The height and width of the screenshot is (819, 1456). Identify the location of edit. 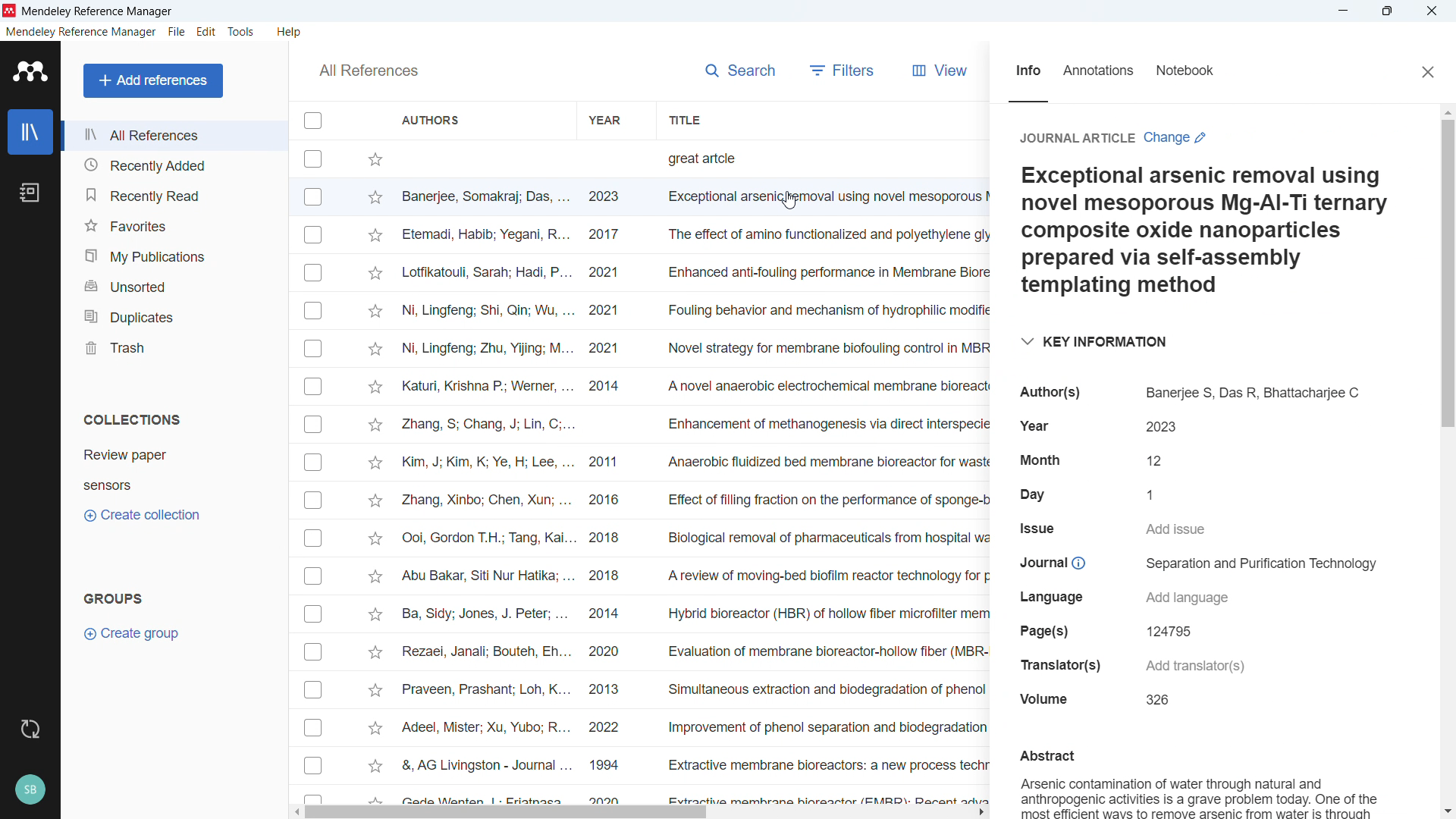
(206, 32).